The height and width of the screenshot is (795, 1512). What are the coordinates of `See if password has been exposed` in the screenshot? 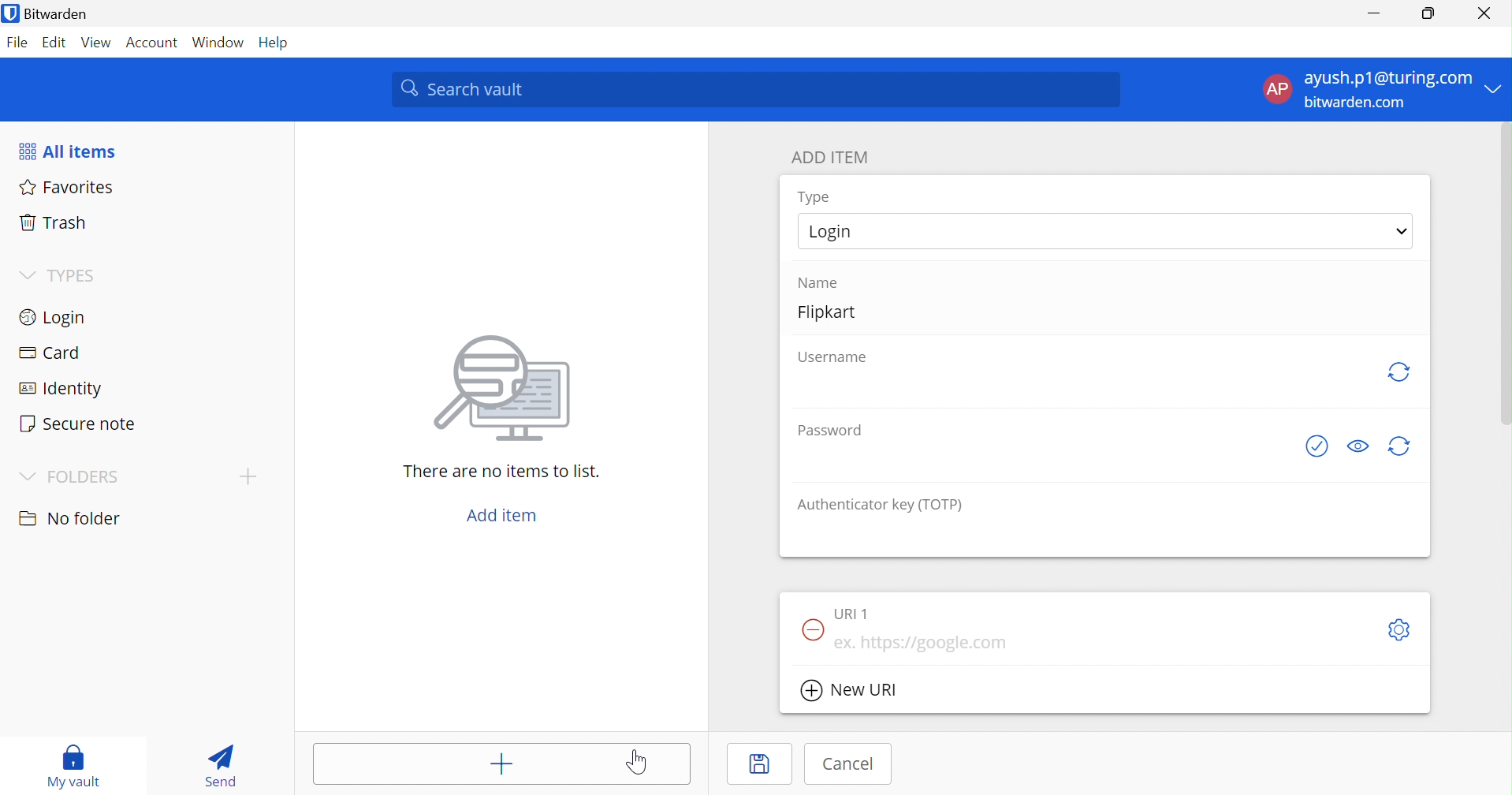 It's located at (1317, 447).